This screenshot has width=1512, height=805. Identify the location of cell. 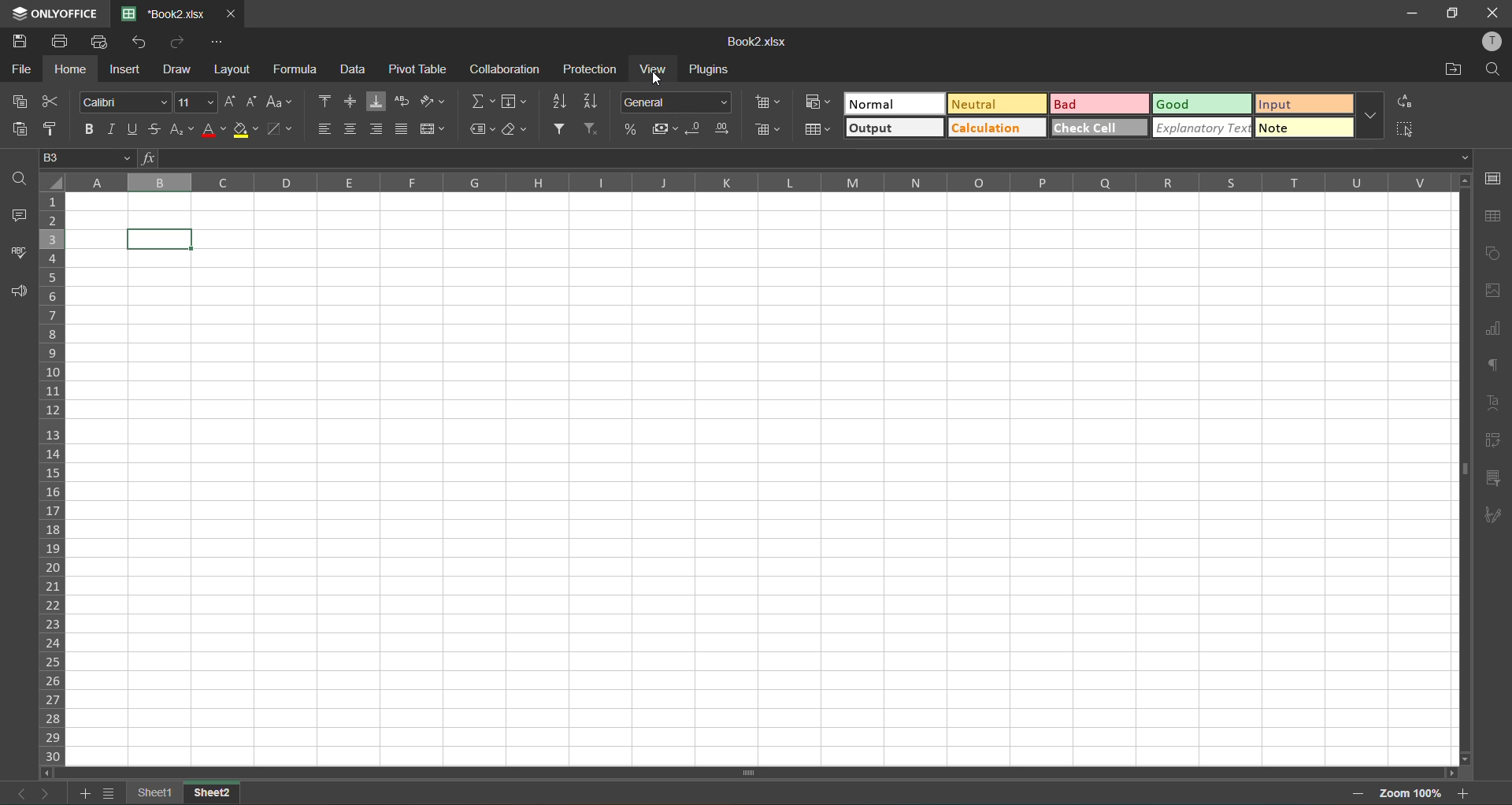
(161, 240).